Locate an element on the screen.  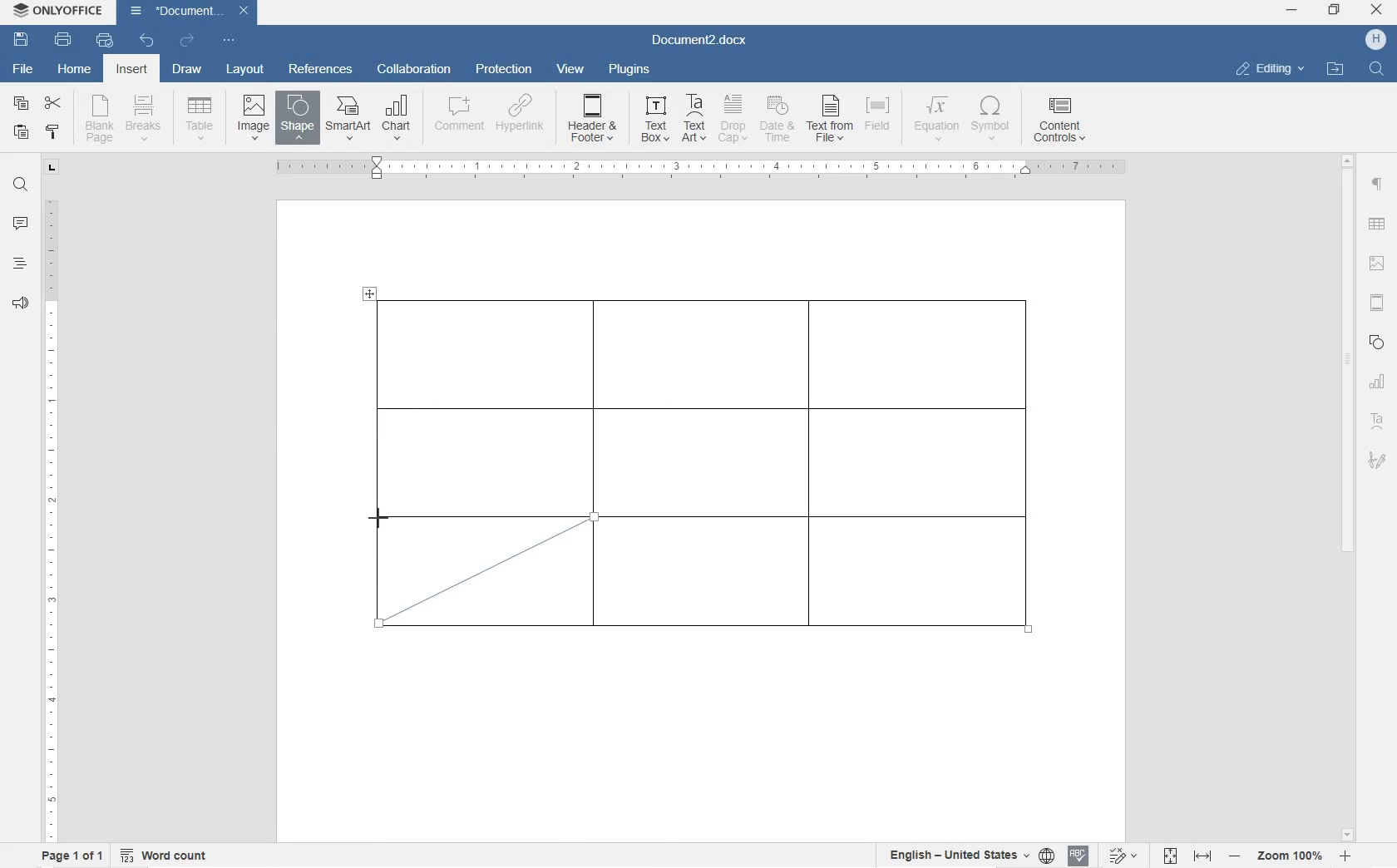
ruler is located at coordinates (51, 515).